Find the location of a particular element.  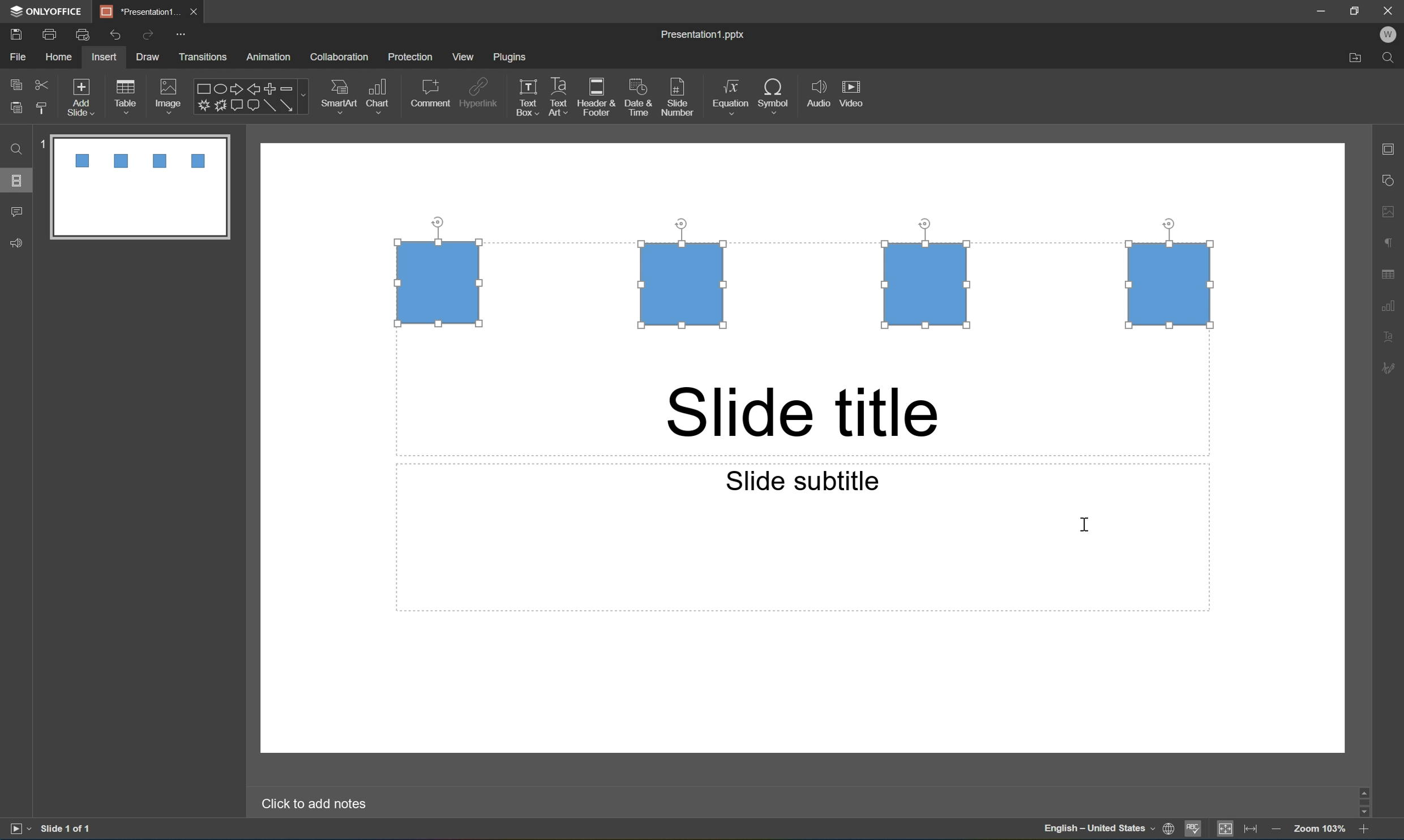

audio is located at coordinates (816, 96).